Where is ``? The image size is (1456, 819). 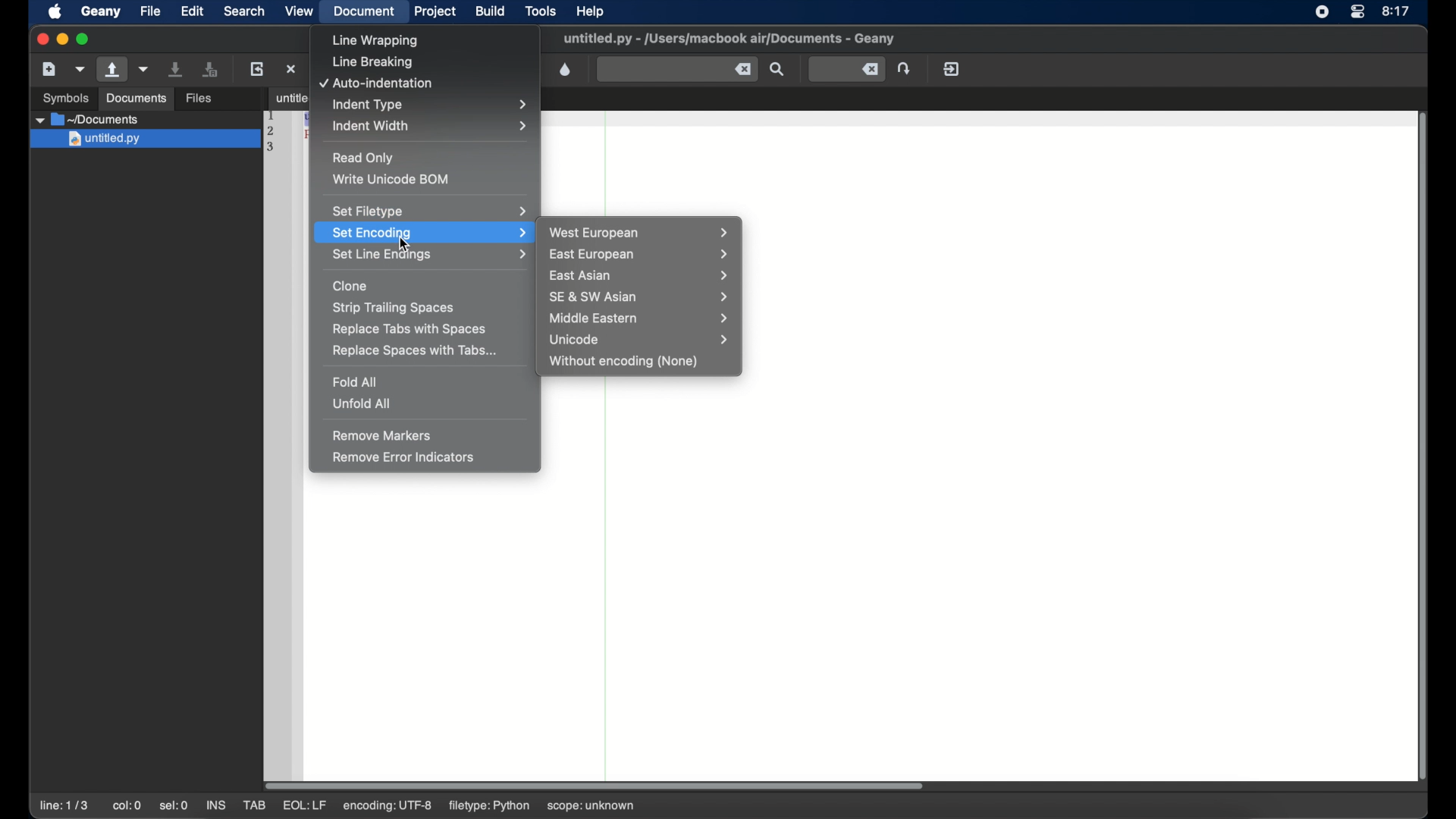  is located at coordinates (143, 140).